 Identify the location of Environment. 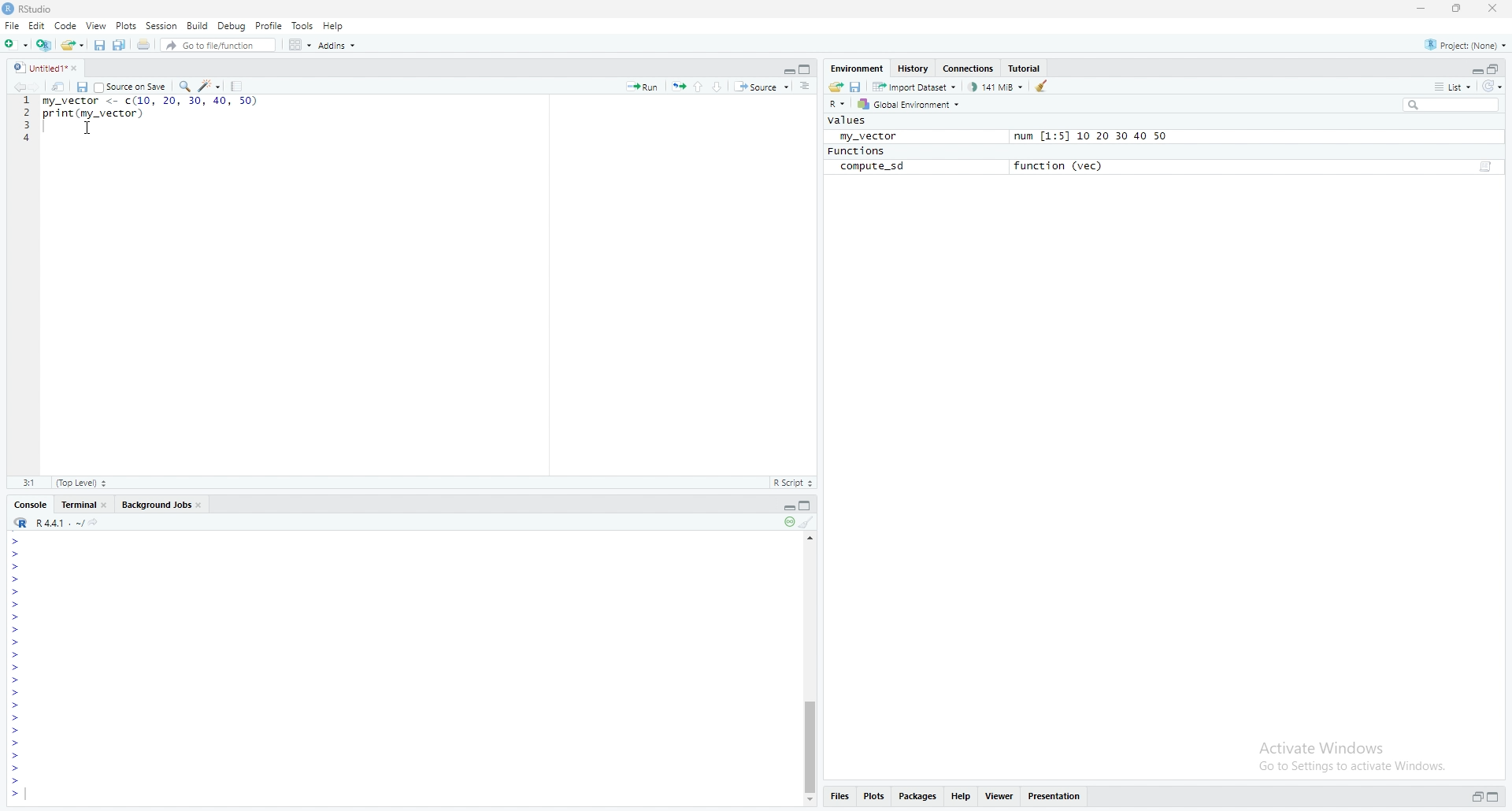
(857, 67).